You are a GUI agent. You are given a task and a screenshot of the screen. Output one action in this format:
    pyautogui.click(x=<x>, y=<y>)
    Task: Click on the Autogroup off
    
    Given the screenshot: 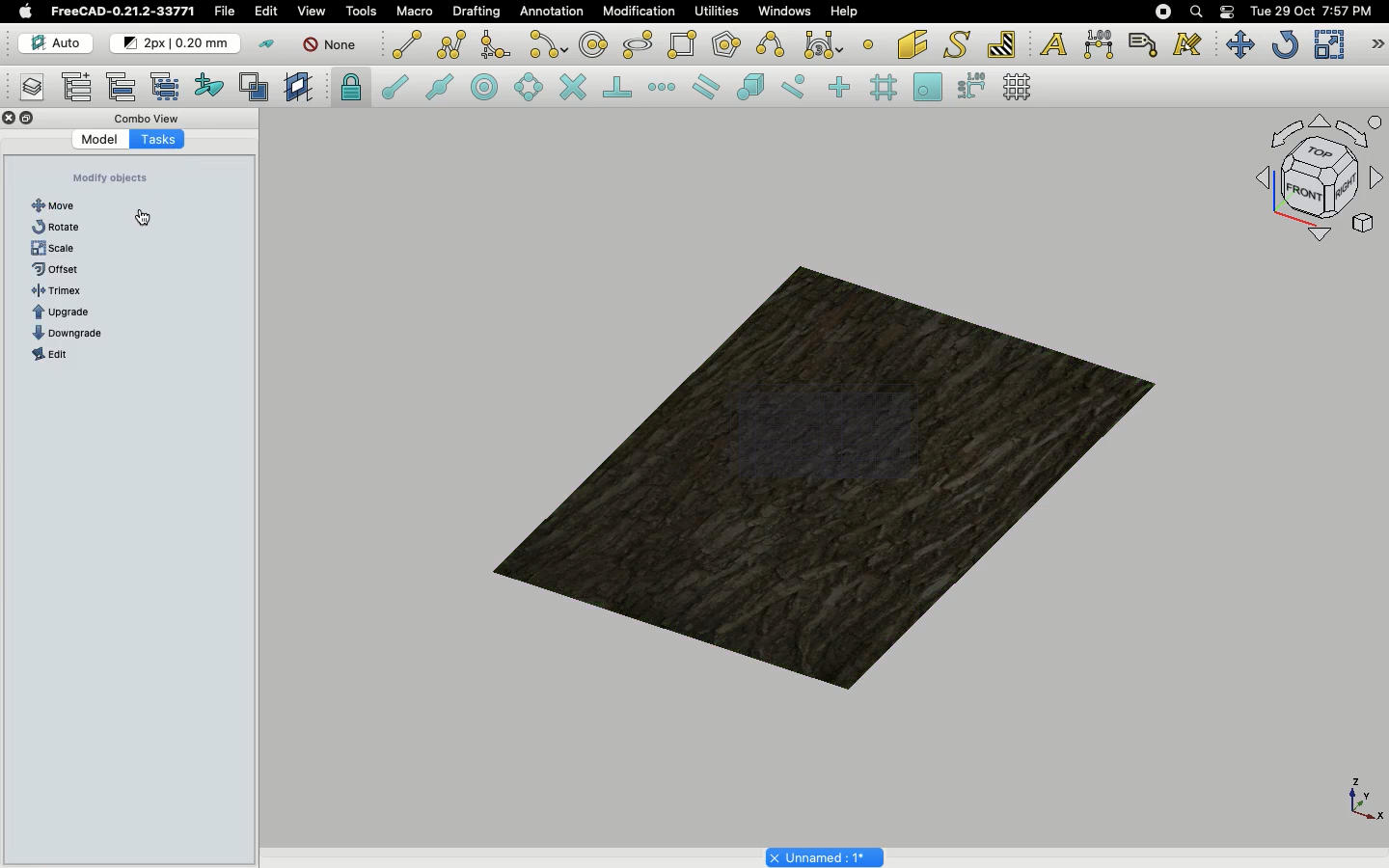 What is the action you would take?
    pyautogui.click(x=333, y=46)
    